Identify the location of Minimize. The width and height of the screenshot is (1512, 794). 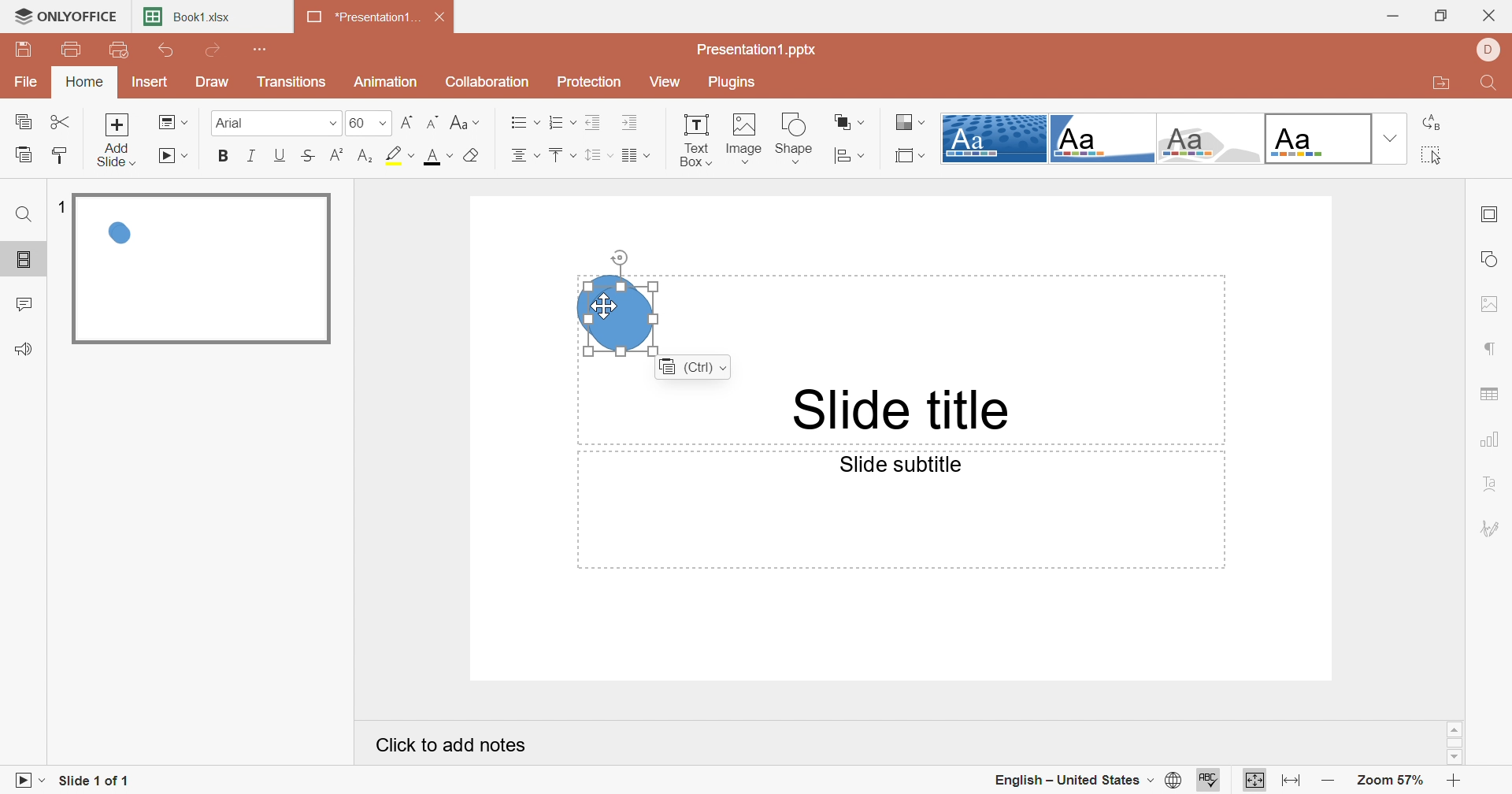
(1397, 15).